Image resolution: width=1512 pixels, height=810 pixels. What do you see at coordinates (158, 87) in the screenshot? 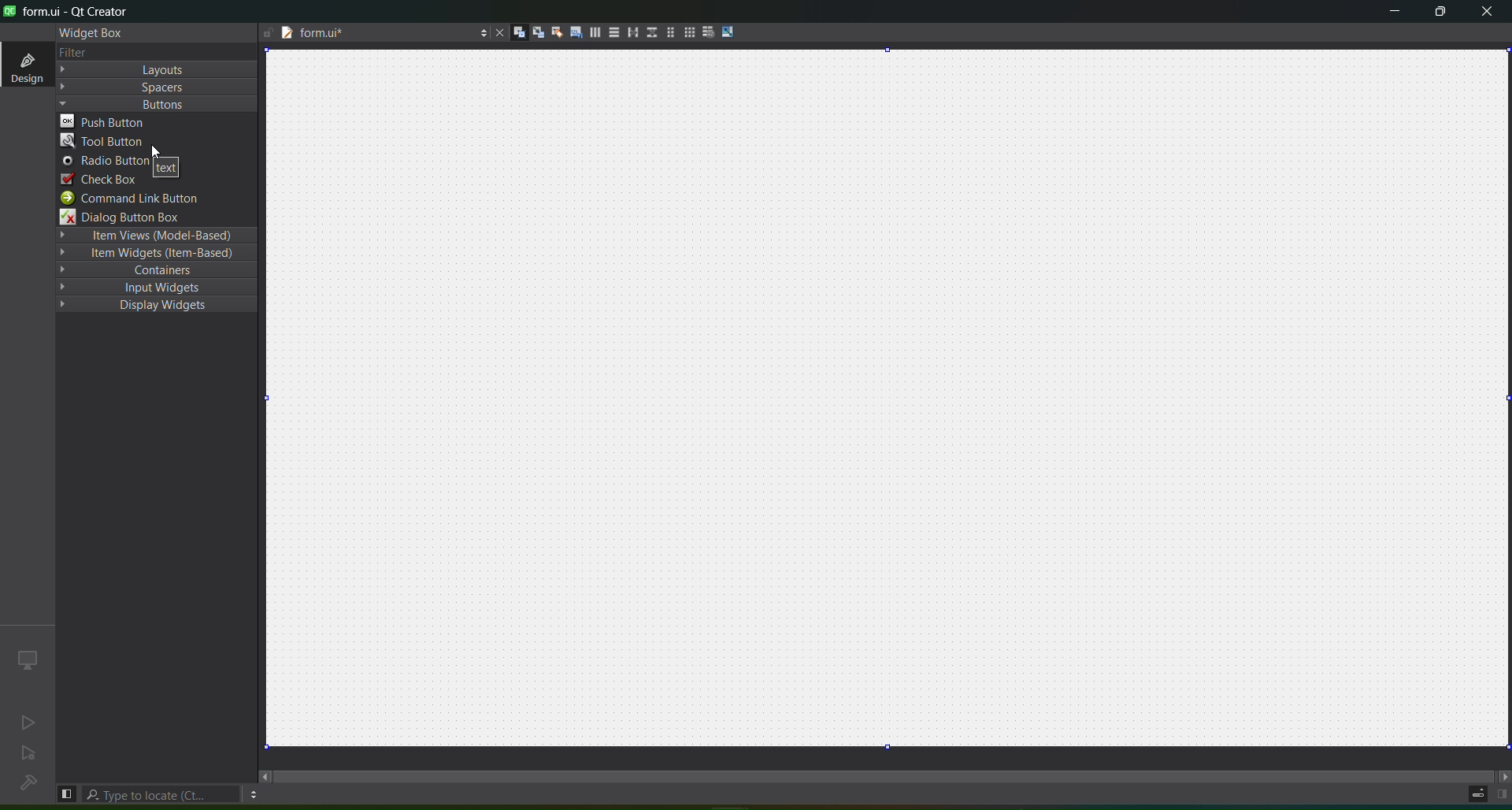
I see `Spacers` at bounding box center [158, 87].